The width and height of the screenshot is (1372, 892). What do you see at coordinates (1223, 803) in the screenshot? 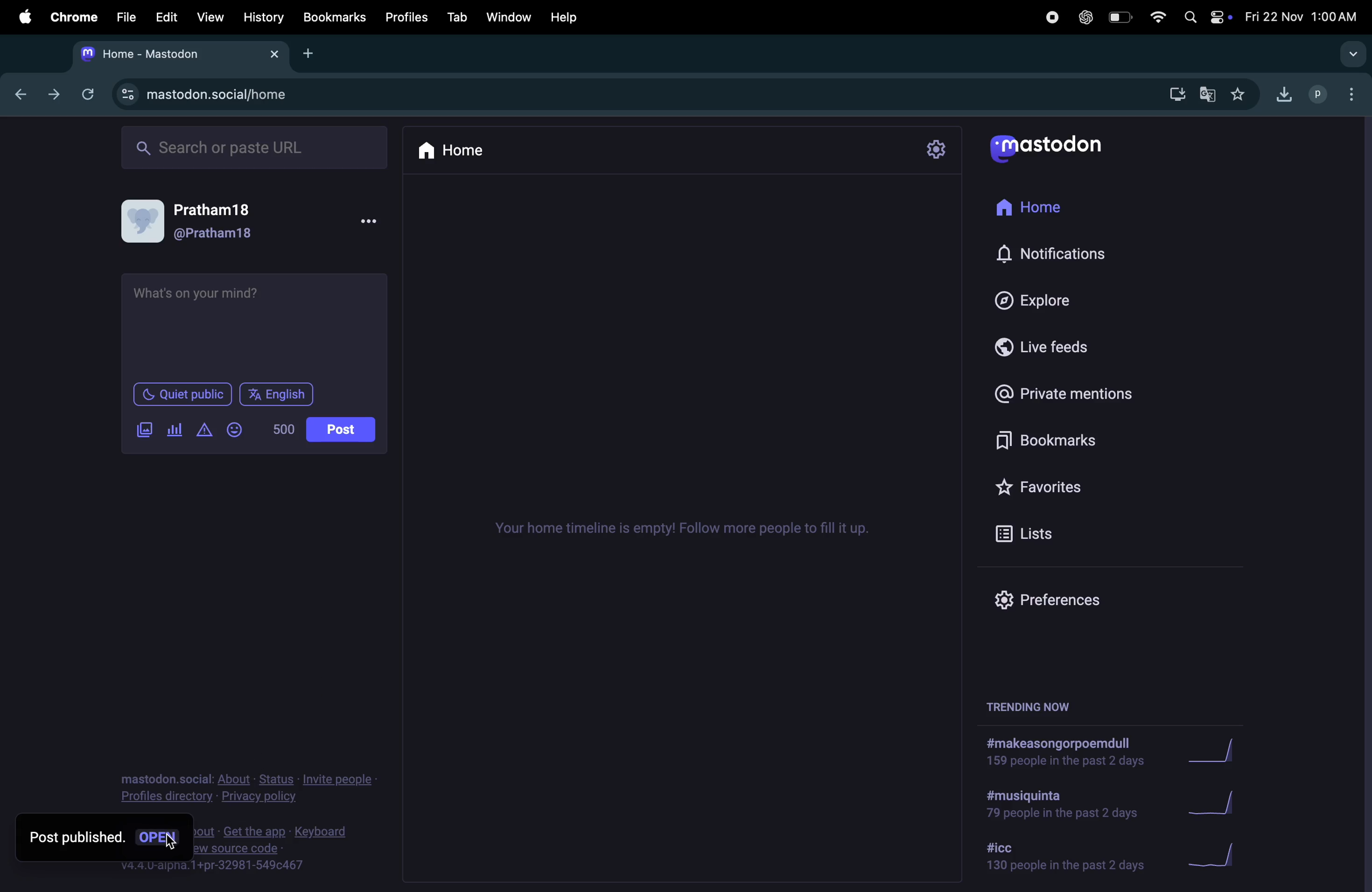
I see `graphs` at bounding box center [1223, 803].